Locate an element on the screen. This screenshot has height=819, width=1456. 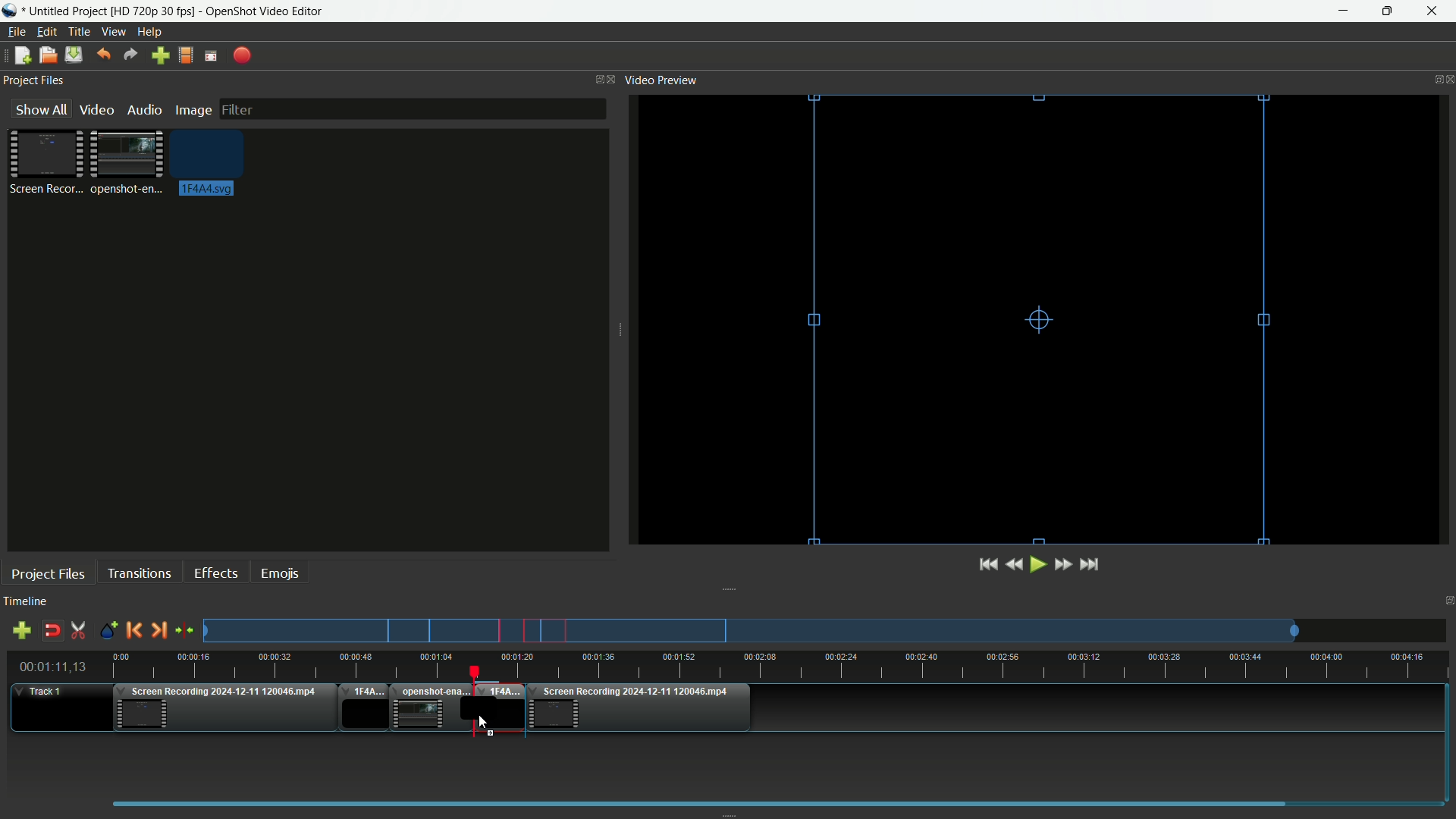
Next marker is located at coordinates (157, 631).